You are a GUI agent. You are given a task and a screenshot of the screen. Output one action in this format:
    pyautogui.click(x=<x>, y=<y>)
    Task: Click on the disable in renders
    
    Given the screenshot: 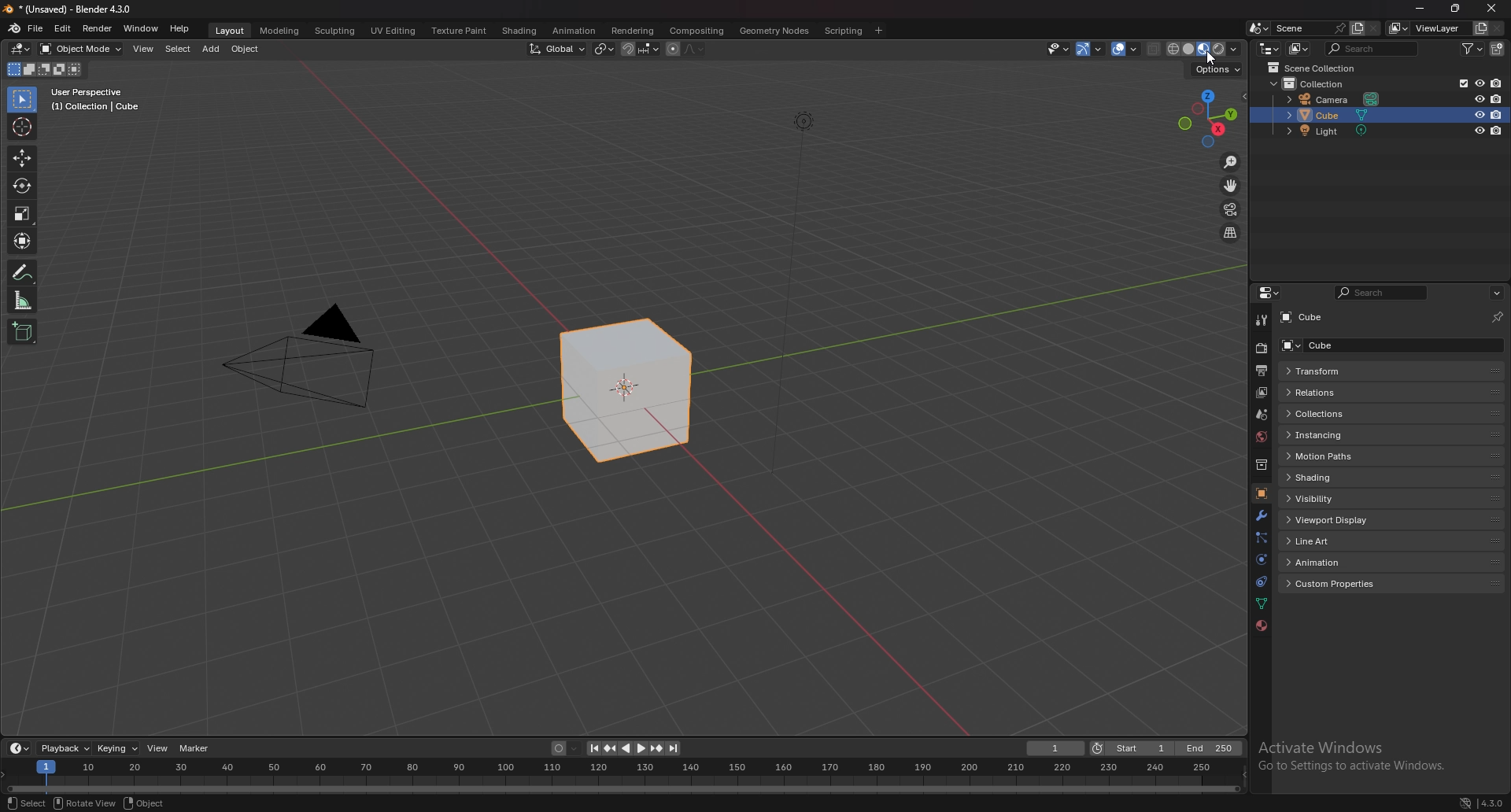 What is the action you would take?
    pyautogui.click(x=1497, y=115)
    